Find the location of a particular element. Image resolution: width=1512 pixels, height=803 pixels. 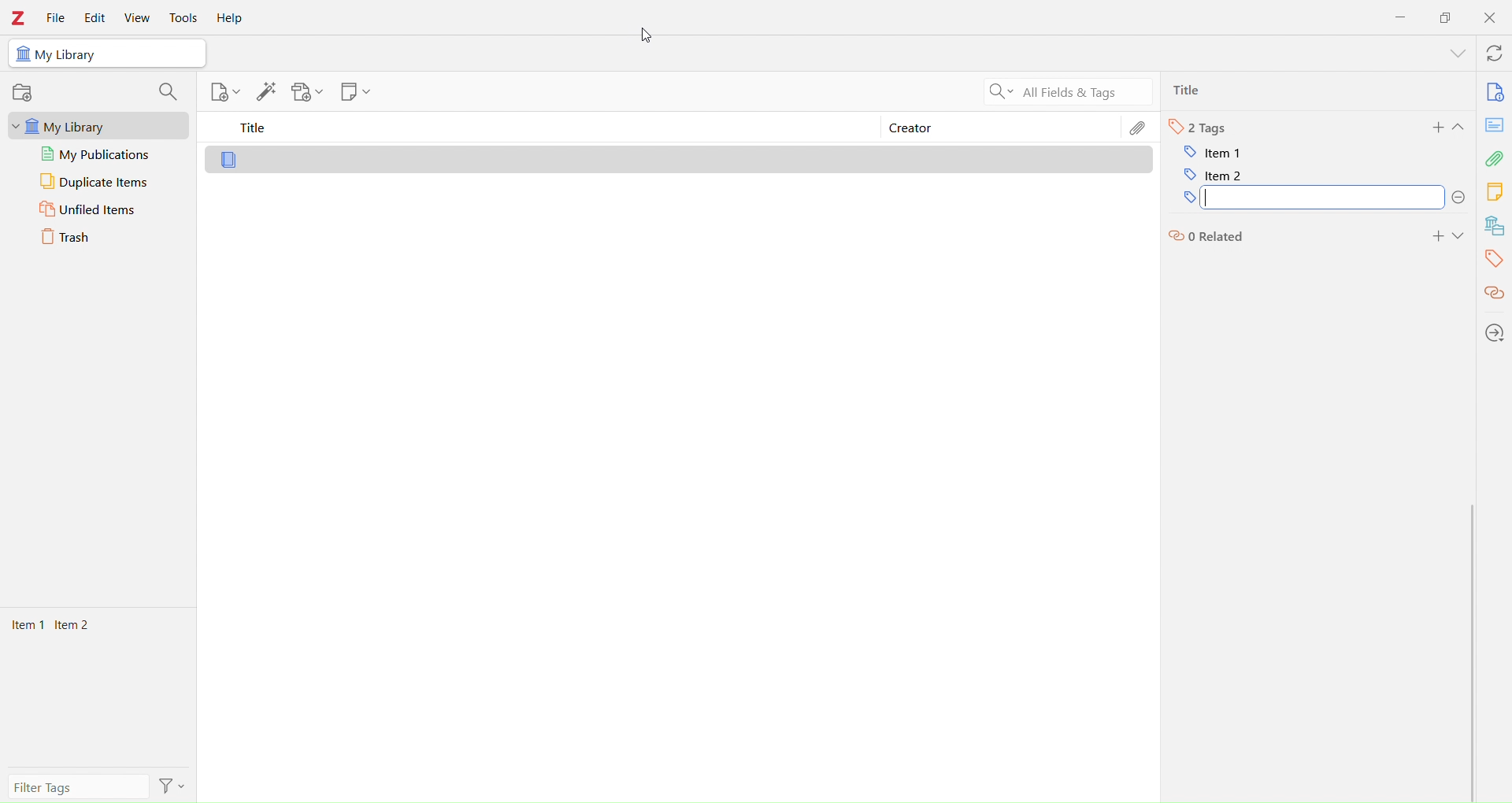

related is located at coordinates (1215, 234).